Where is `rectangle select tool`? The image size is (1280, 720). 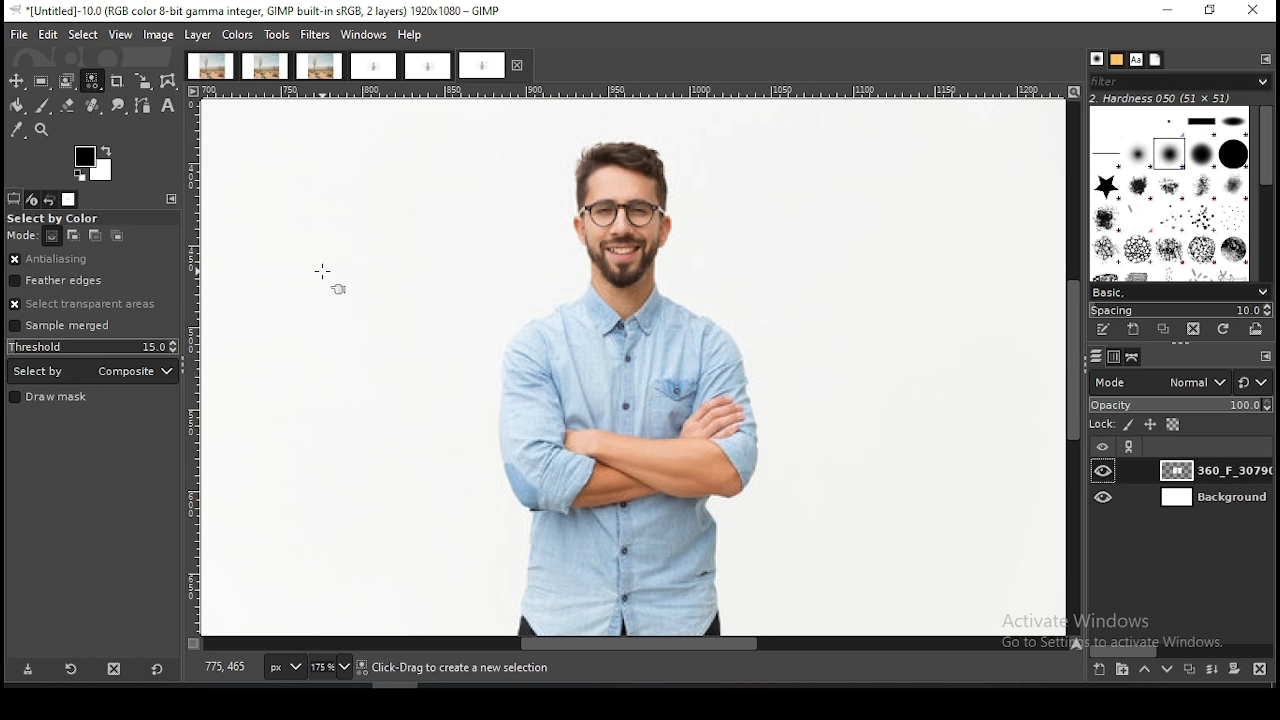
rectangle select tool is located at coordinates (41, 81).